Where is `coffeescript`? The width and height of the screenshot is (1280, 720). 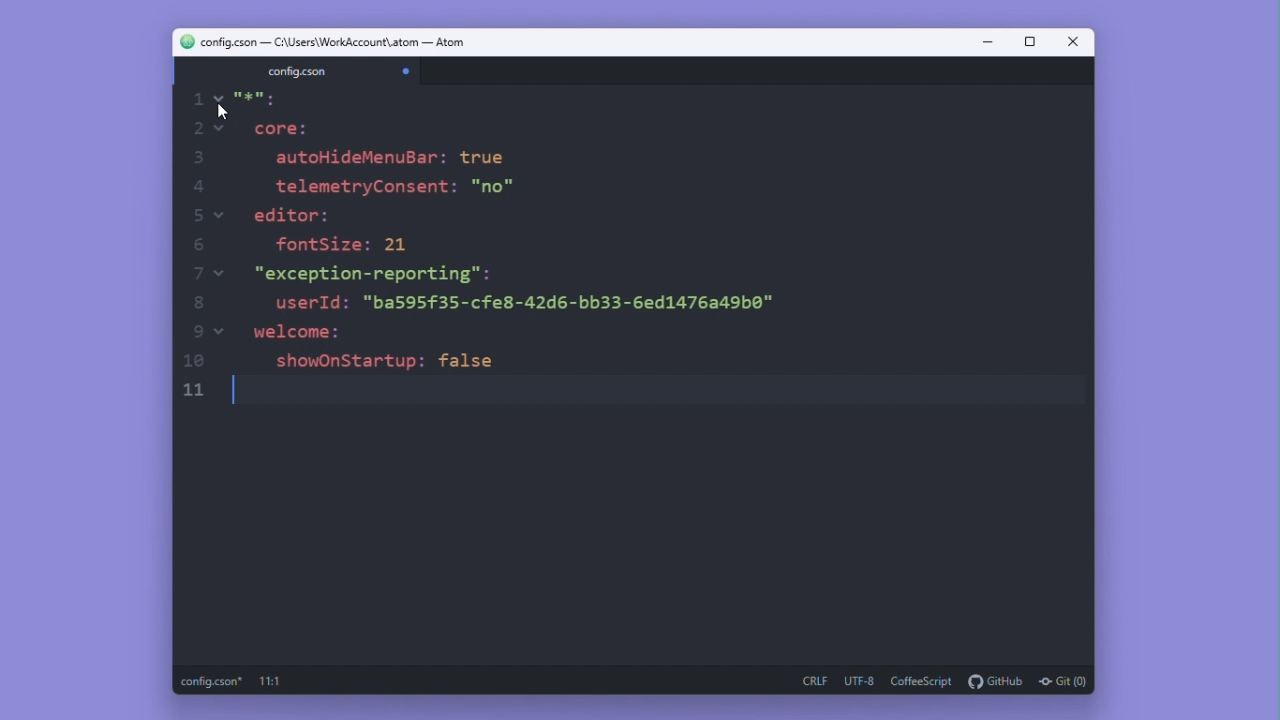 coffeescript is located at coordinates (924, 682).